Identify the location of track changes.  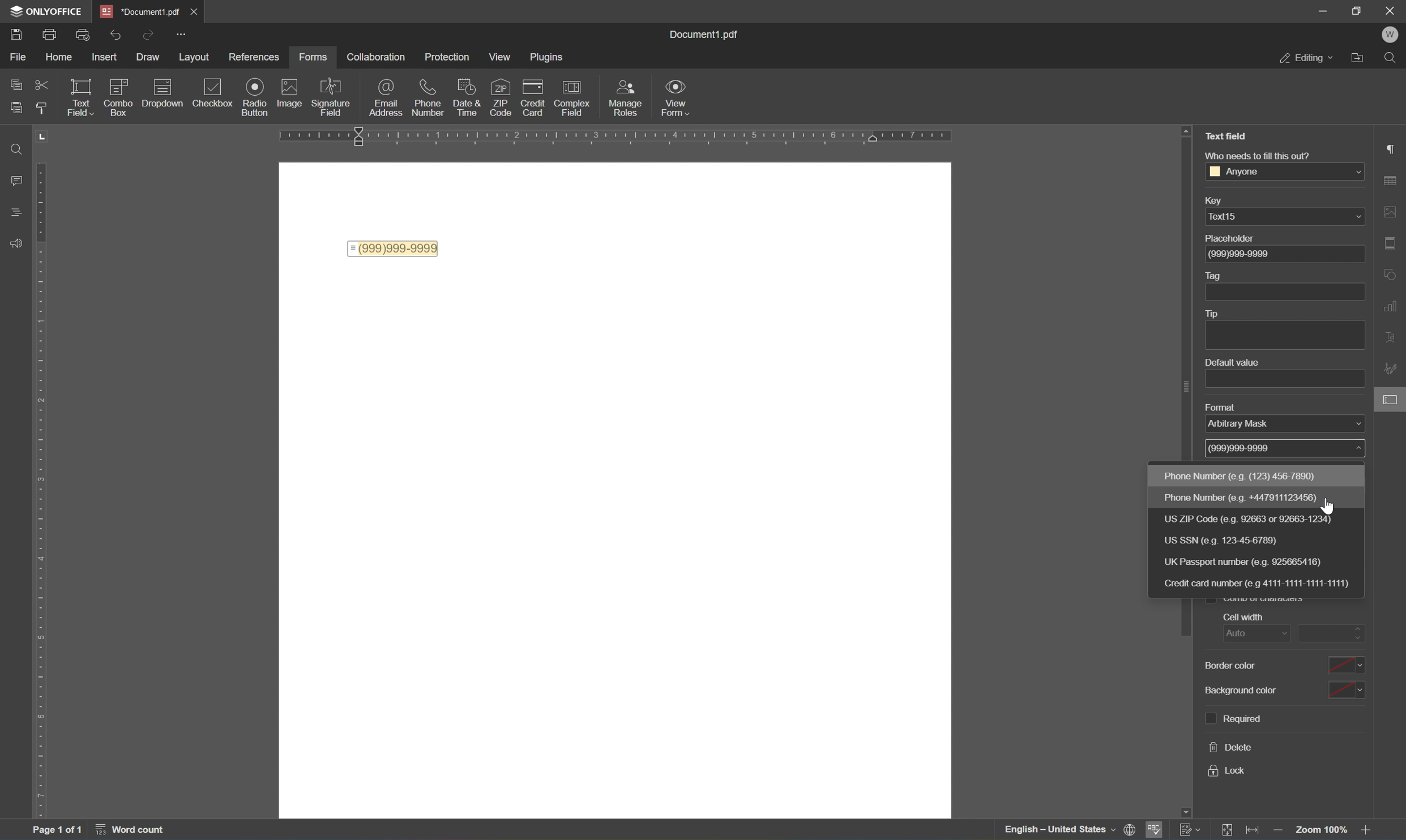
(1189, 829).